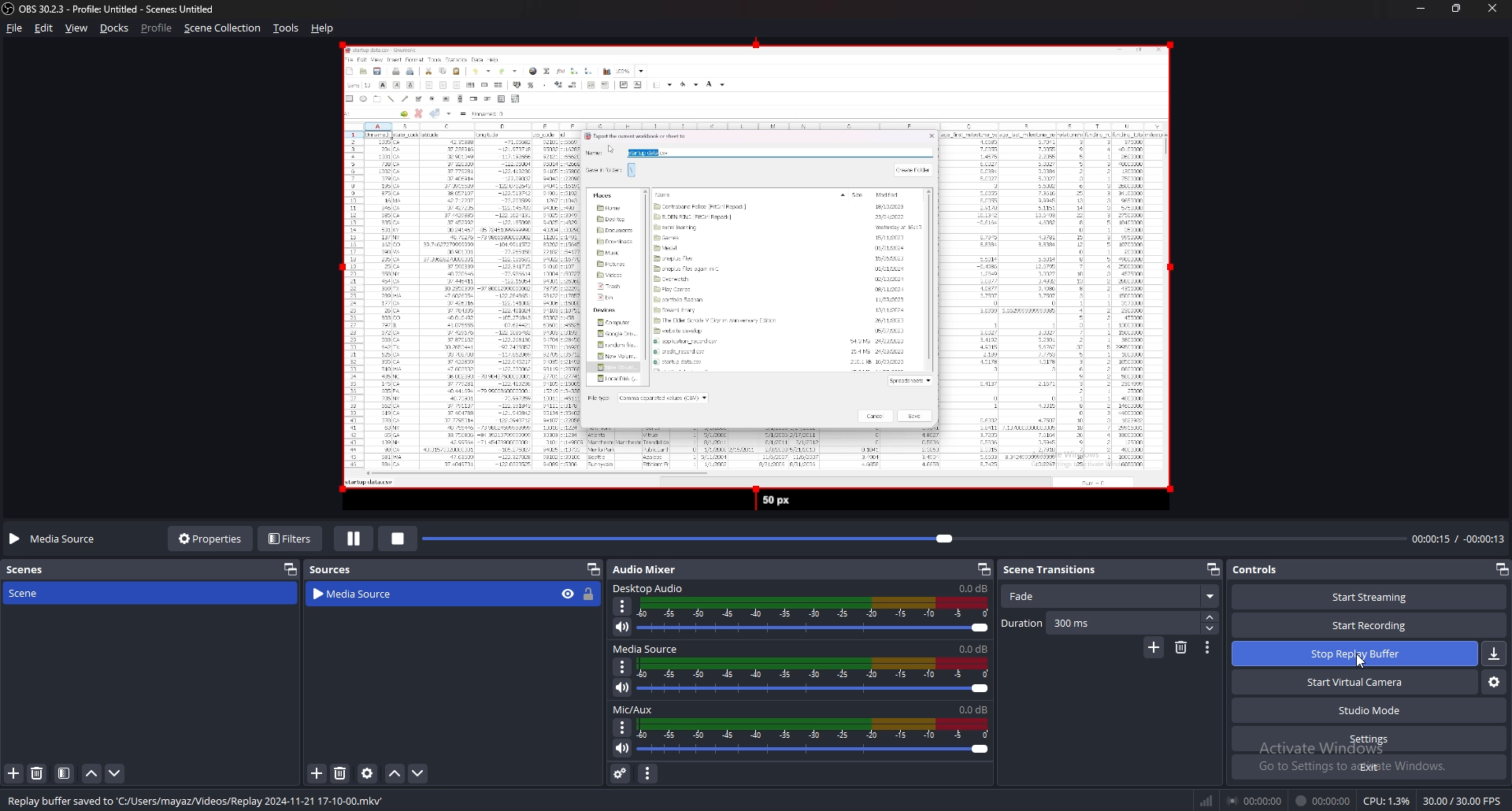 The width and height of the screenshot is (1512, 811). I want to click on lock, so click(590, 595).